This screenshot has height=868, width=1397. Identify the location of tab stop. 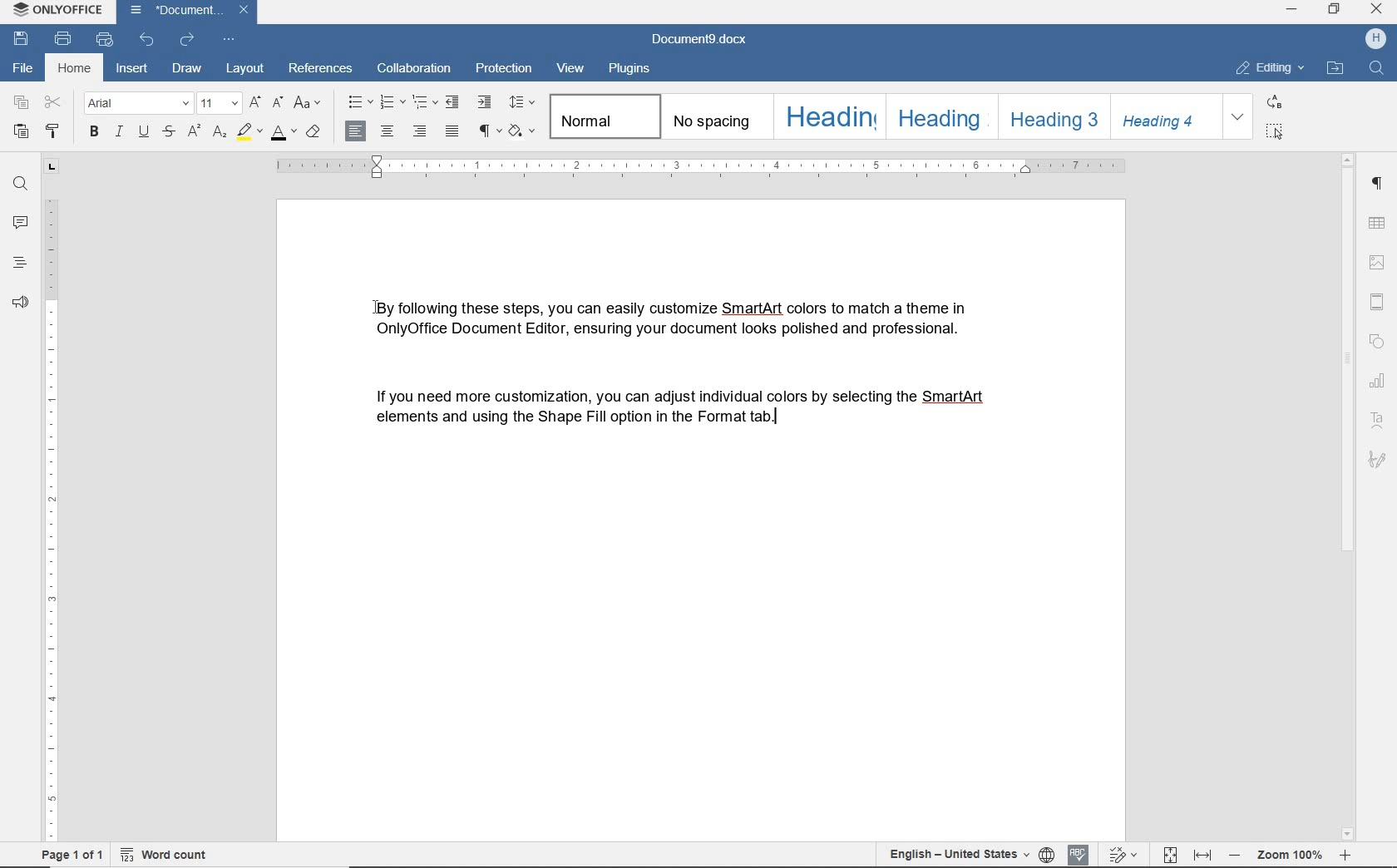
(52, 165).